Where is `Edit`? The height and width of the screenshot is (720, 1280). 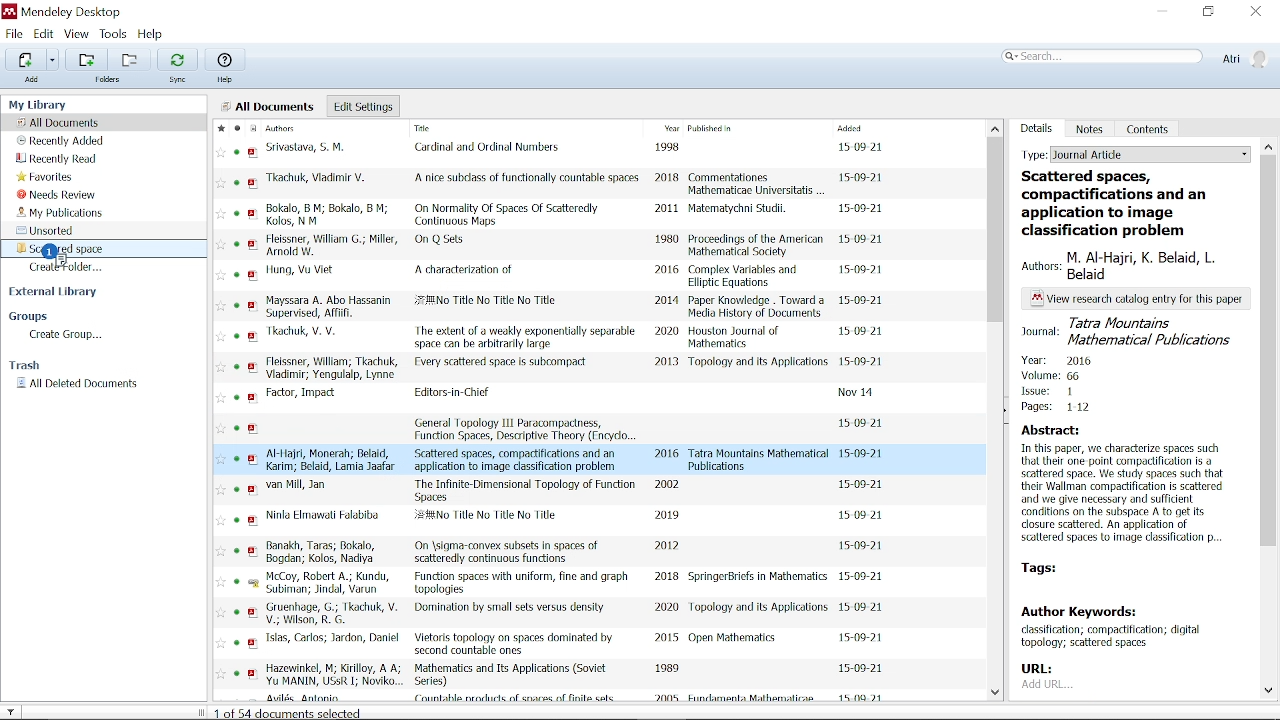
Edit is located at coordinates (44, 34).